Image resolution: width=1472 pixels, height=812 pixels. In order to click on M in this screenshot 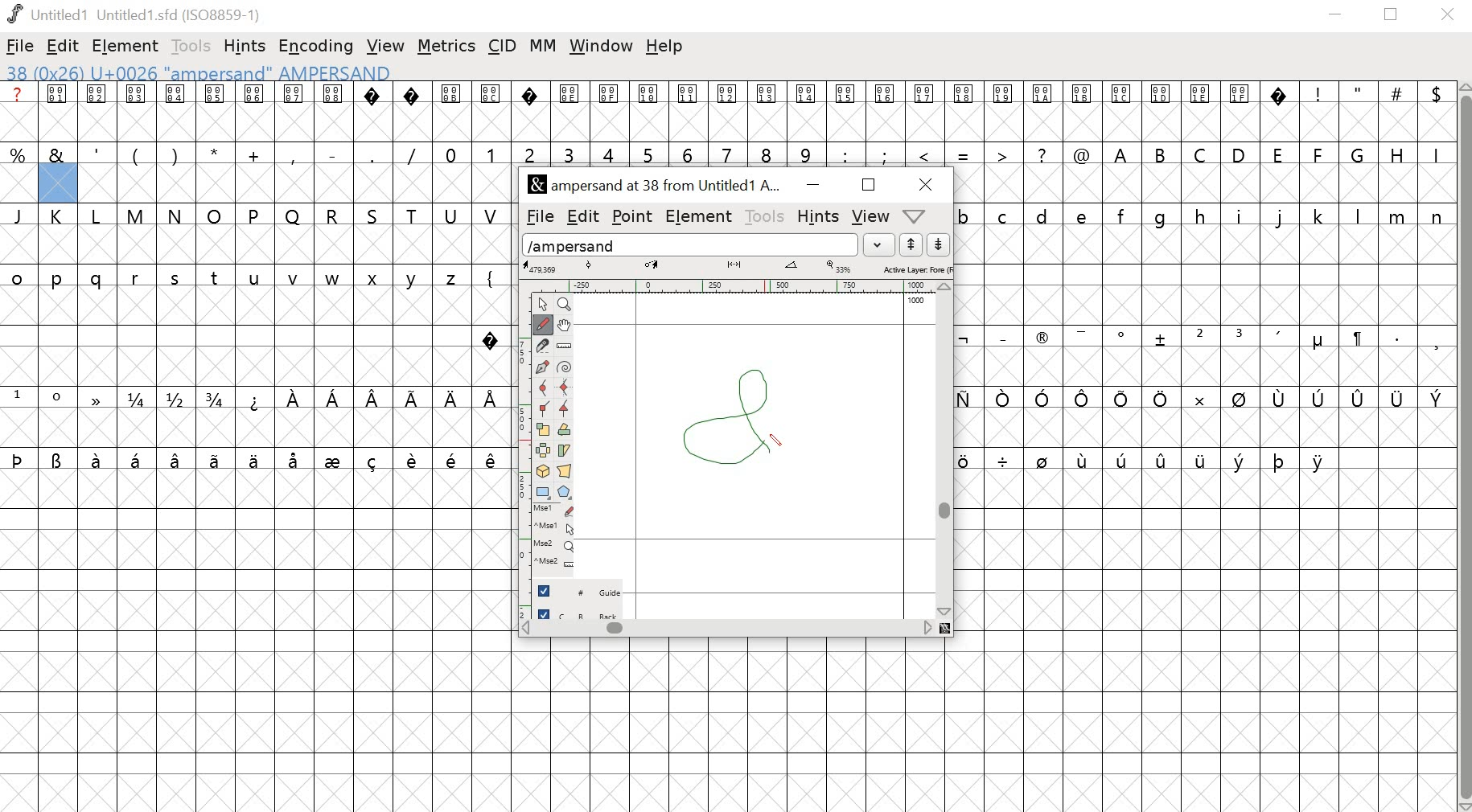, I will do `click(137, 215)`.